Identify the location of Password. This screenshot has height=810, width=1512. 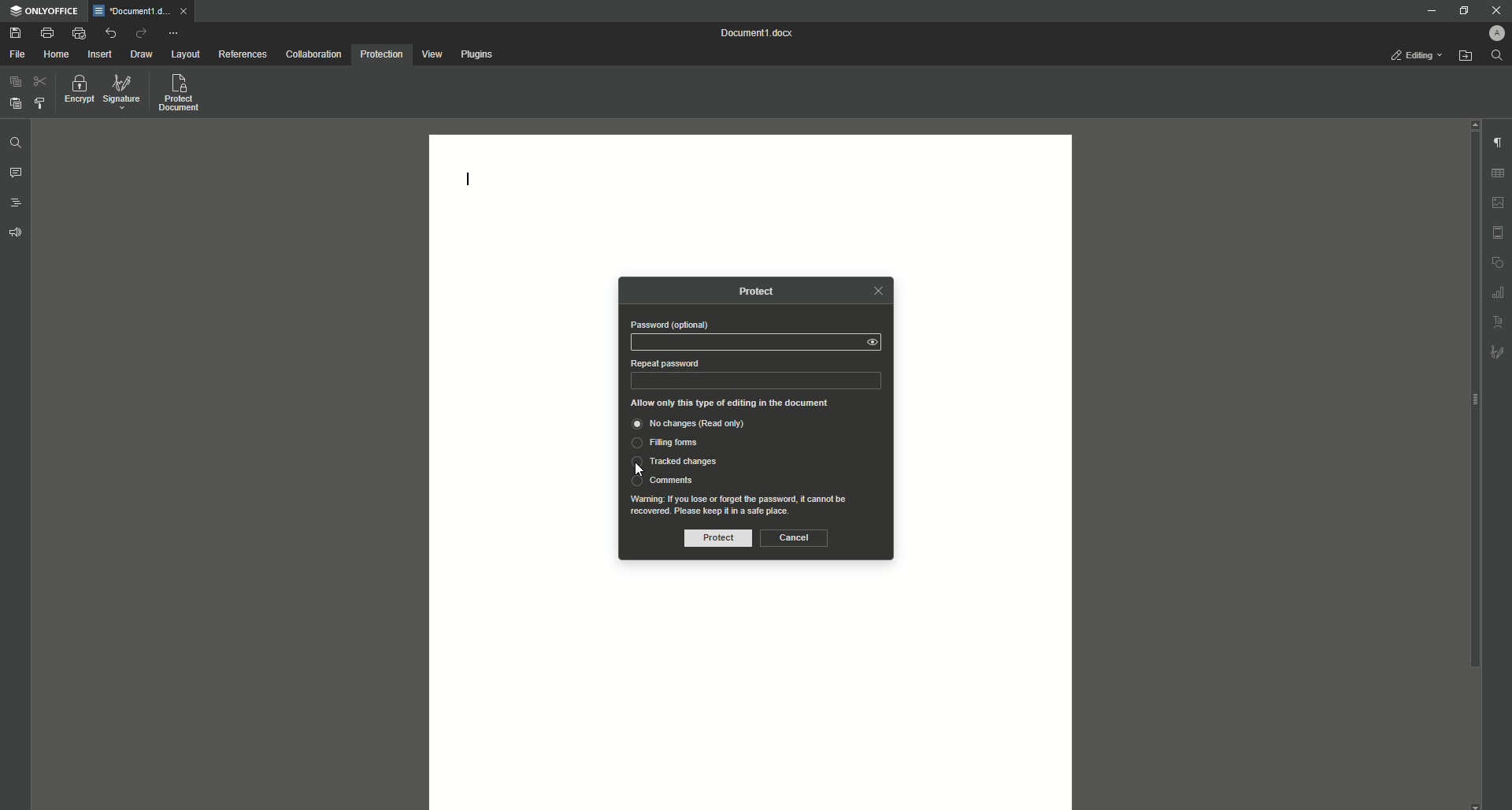
(743, 343).